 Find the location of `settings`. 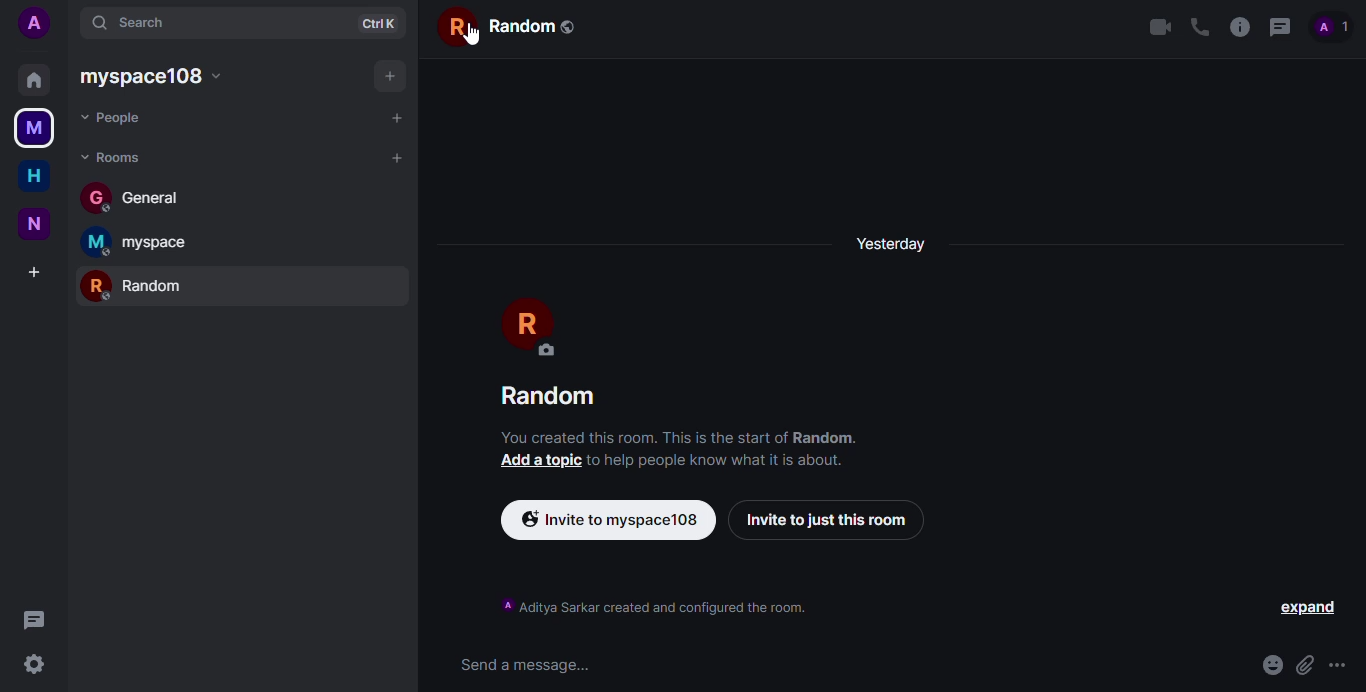

settings is located at coordinates (34, 663).